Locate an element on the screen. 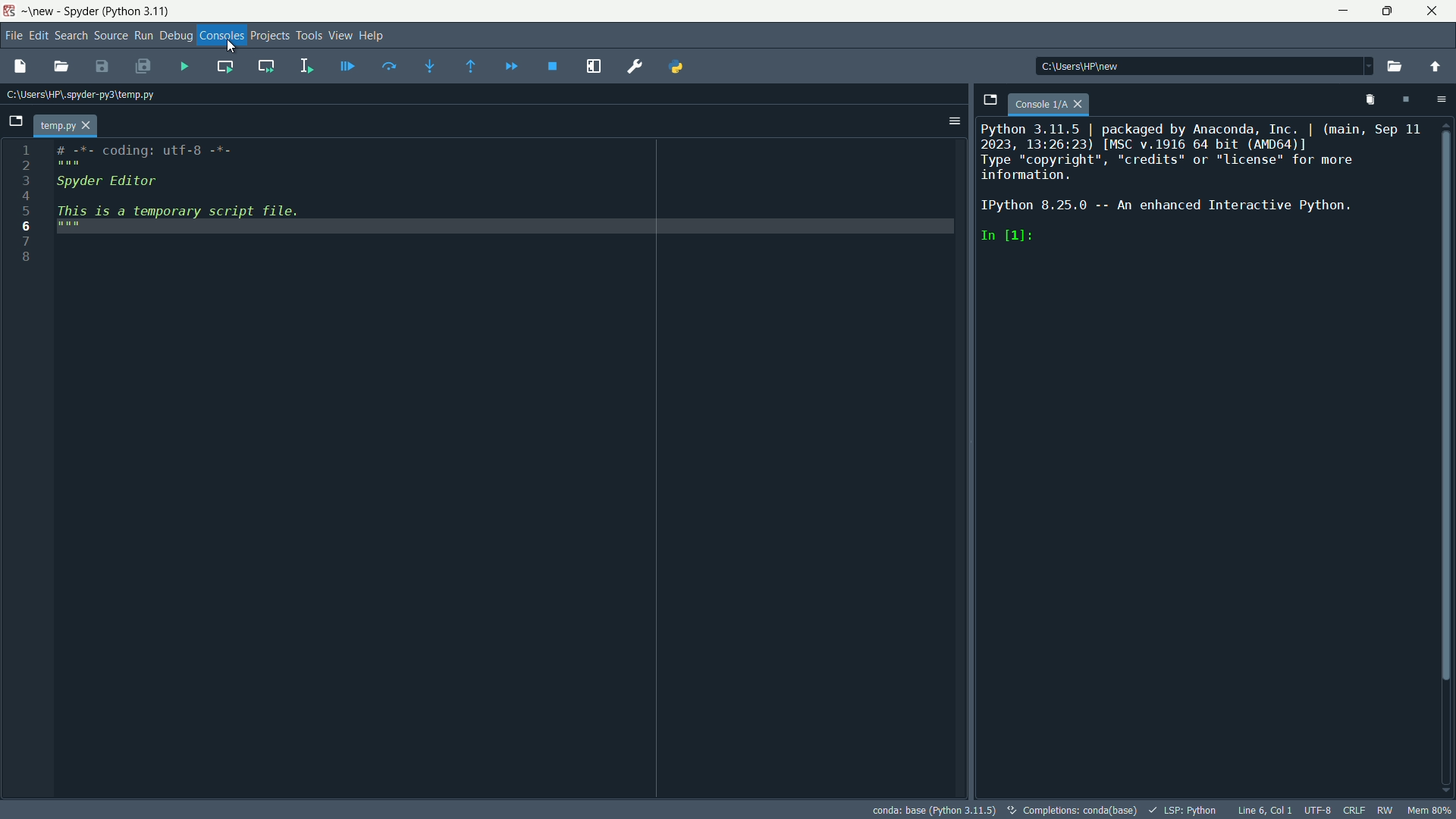 Image resolution: width=1456 pixels, height=819 pixels. temp.py is located at coordinates (54, 127).